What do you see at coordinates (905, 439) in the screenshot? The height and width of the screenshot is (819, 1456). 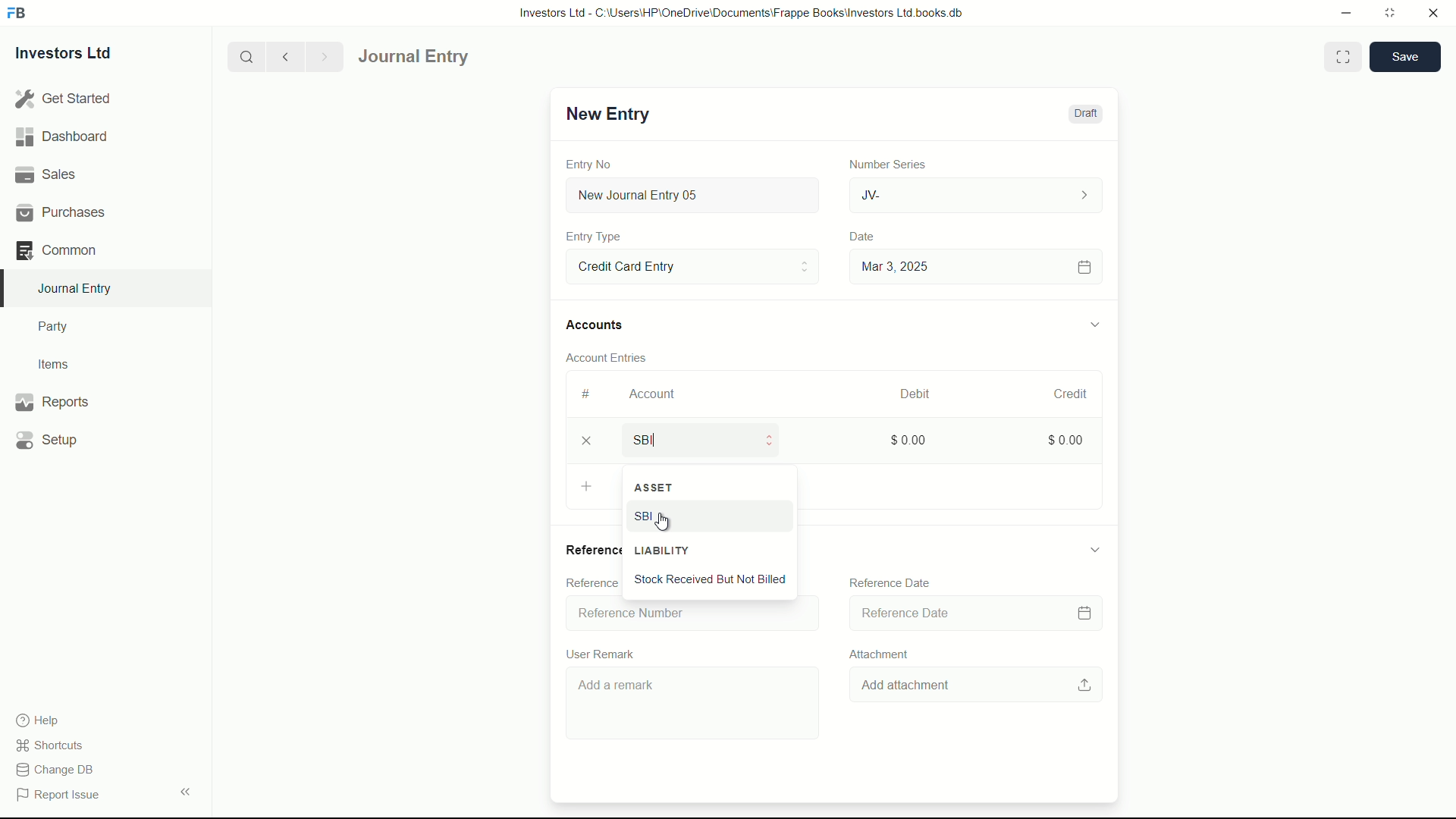 I see `$0.00` at bounding box center [905, 439].